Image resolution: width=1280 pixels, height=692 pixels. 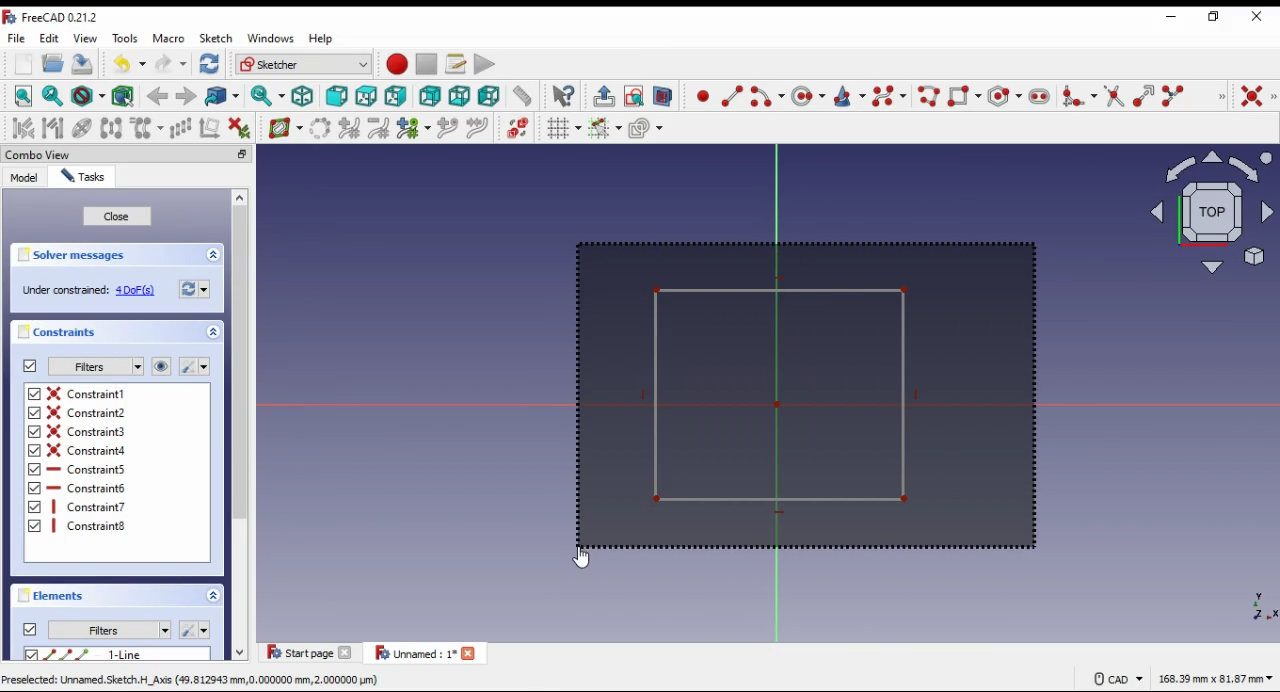 What do you see at coordinates (159, 98) in the screenshot?
I see `back` at bounding box center [159, 98].